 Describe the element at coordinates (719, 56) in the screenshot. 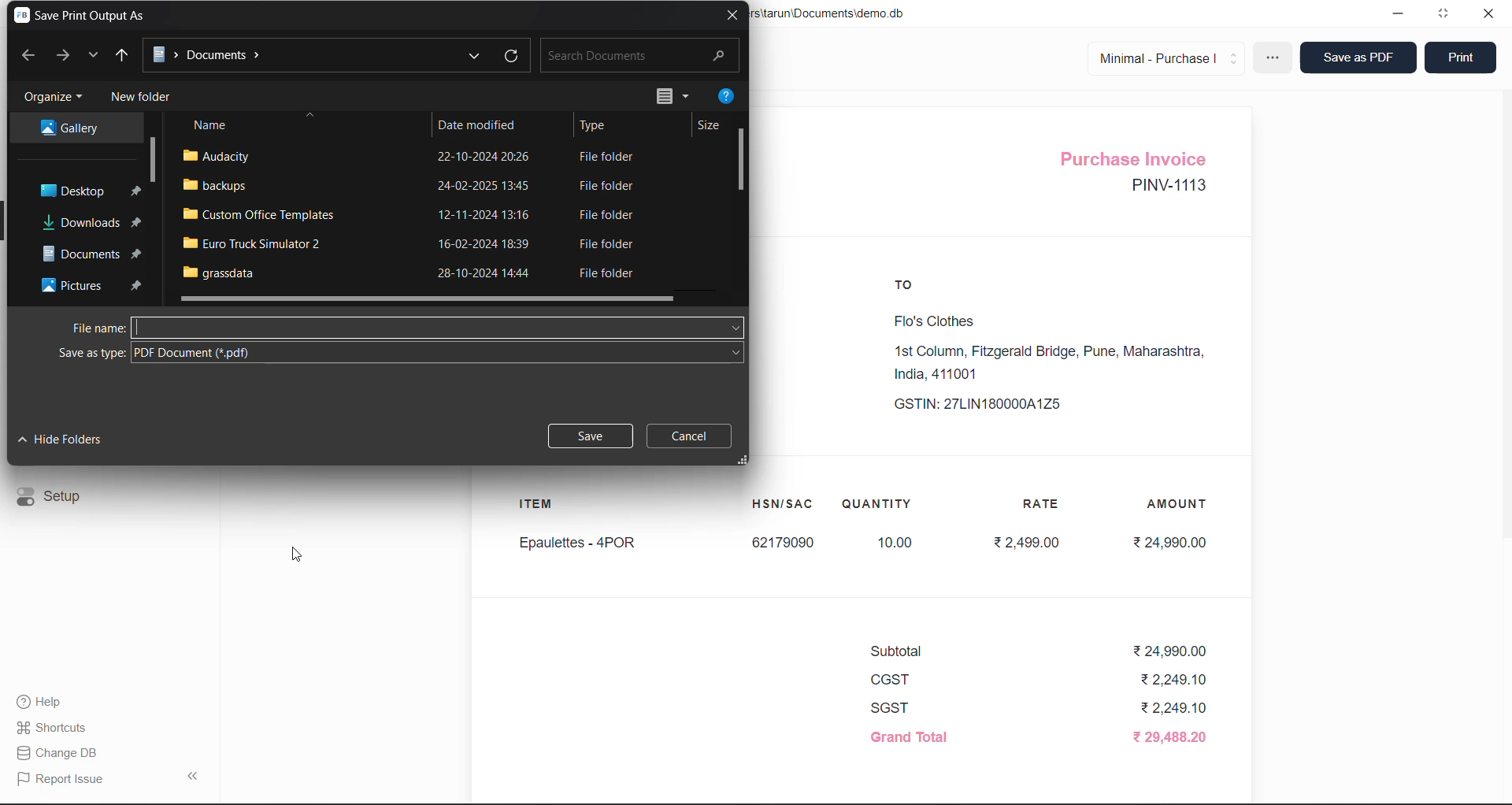

I see `search` at that location.